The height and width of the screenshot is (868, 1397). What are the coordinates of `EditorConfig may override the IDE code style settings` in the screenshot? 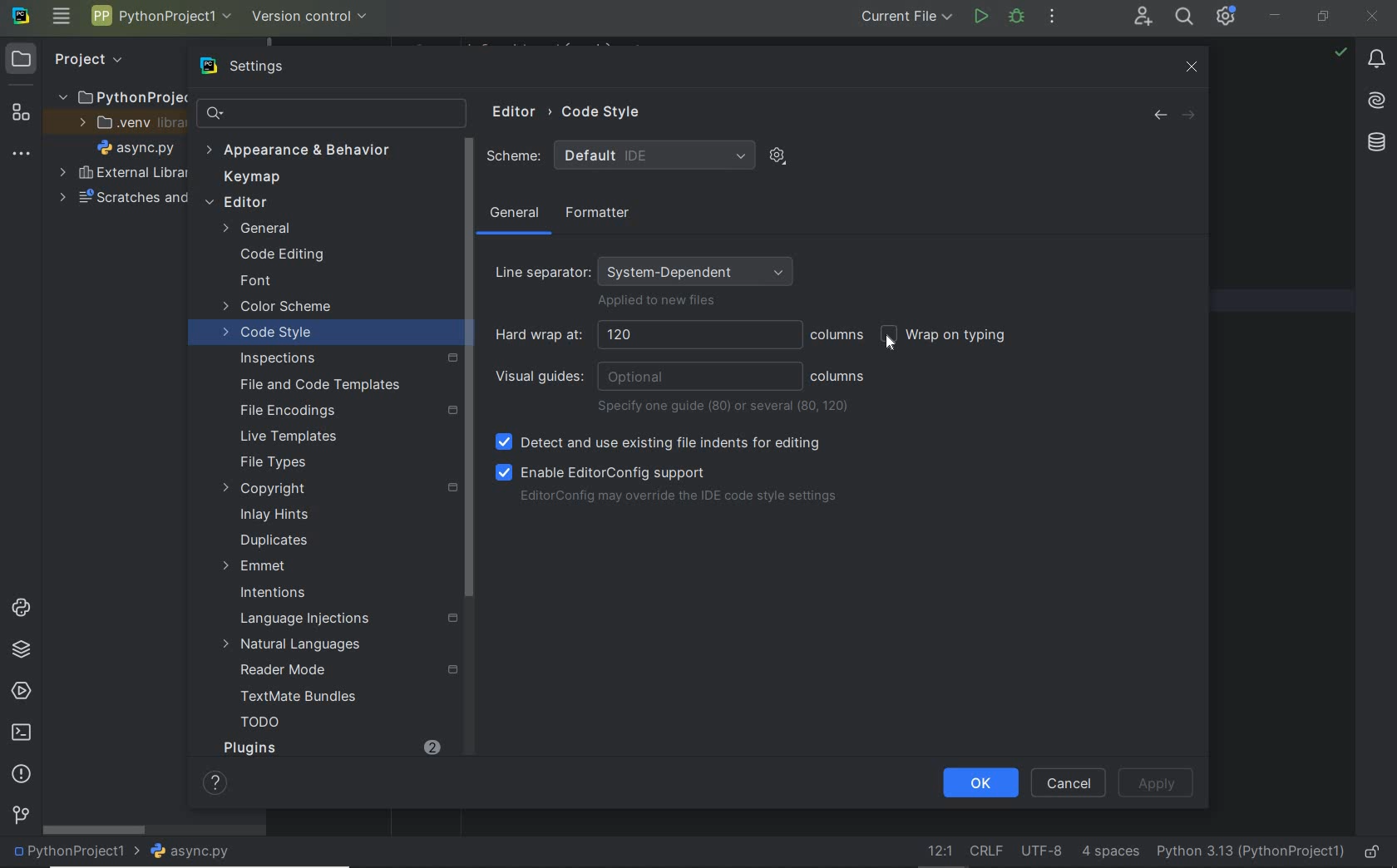 It's located at (678, 498).